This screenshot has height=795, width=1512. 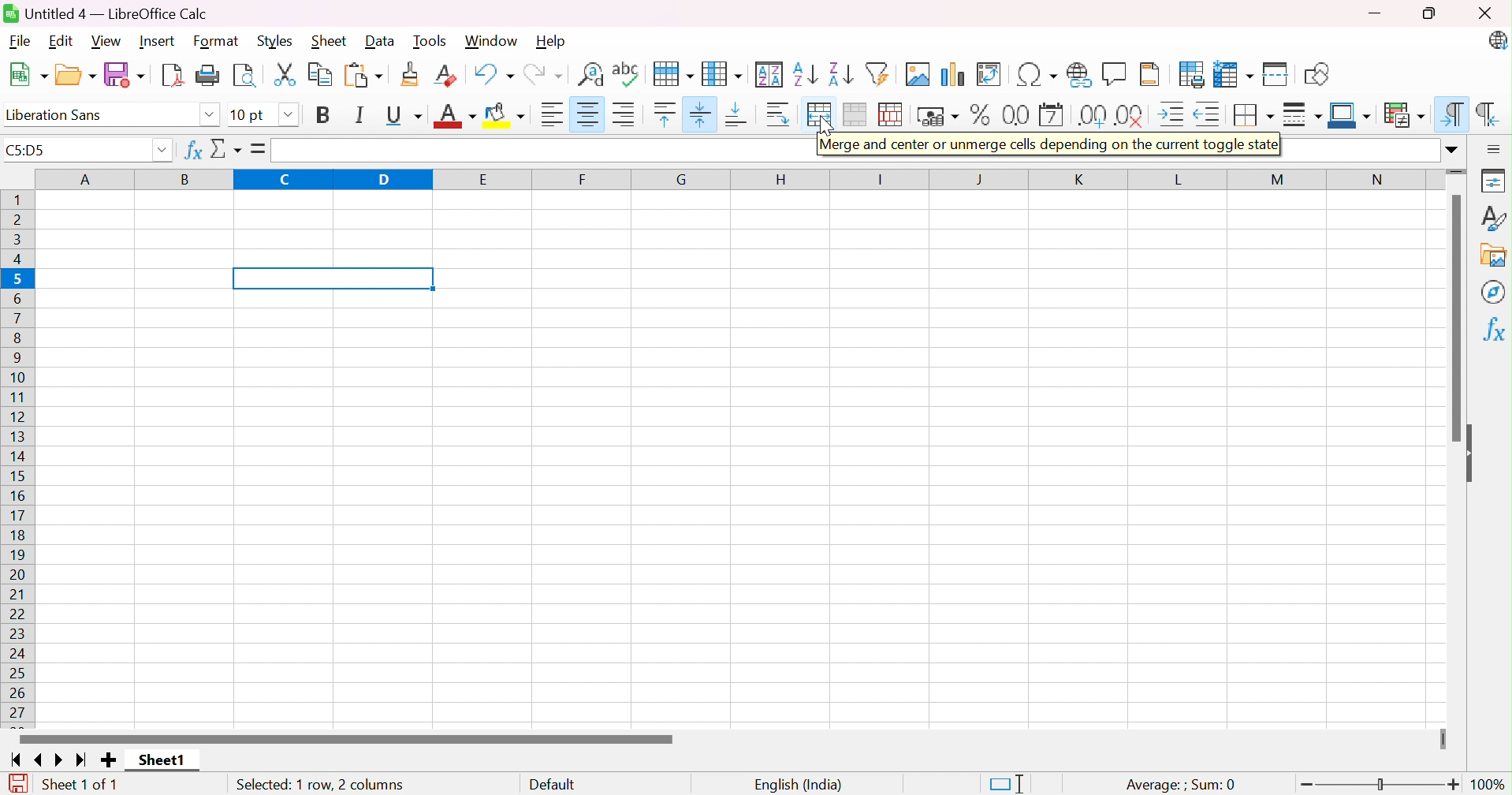 I want to click on Insert Hyperlink, so click(x=1077, y=74).